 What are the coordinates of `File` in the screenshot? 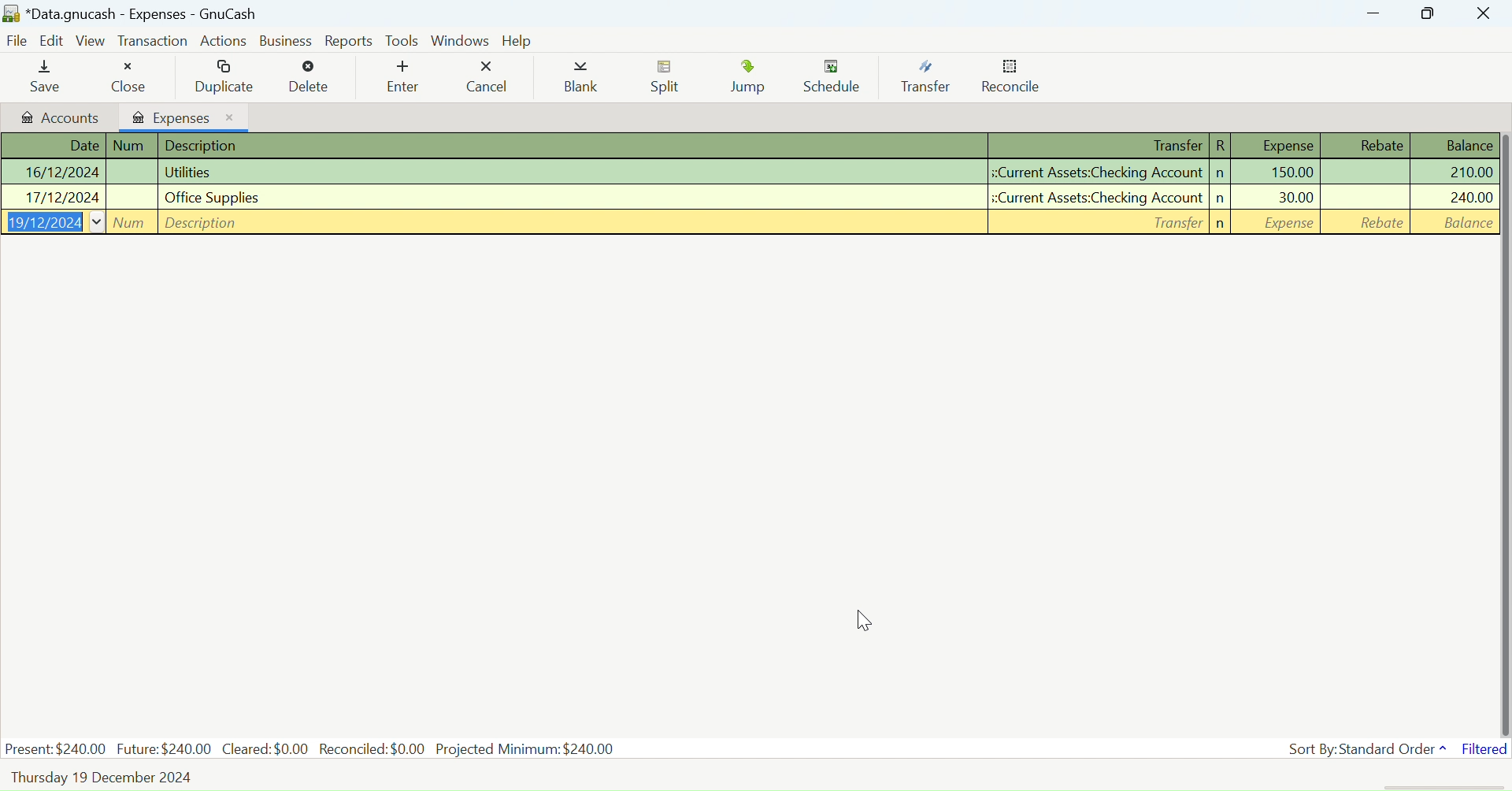 It's located at (16, 43).